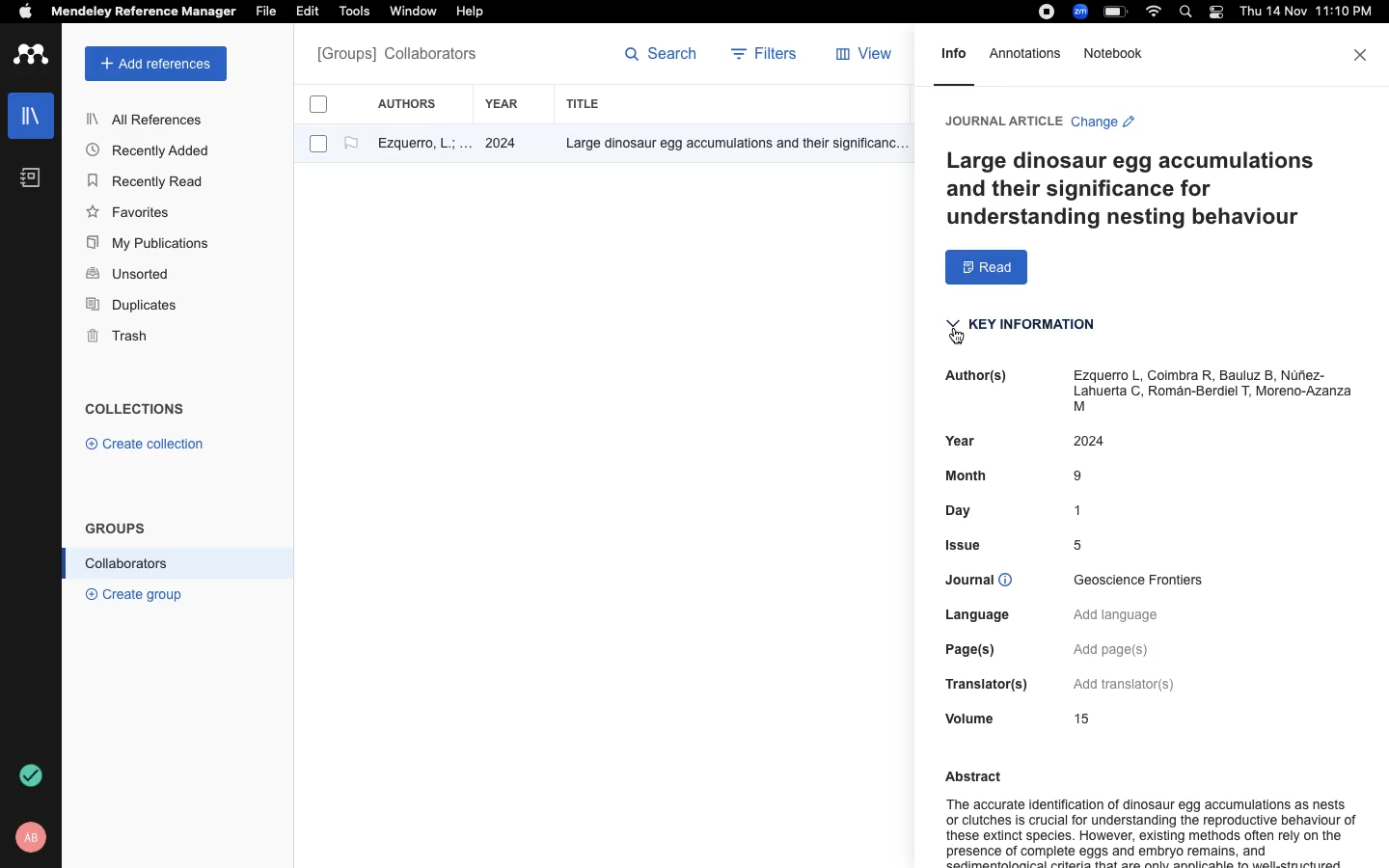  Describe the element at coordinates (125, 338) in the screenshot. I see `Trash` at that location.